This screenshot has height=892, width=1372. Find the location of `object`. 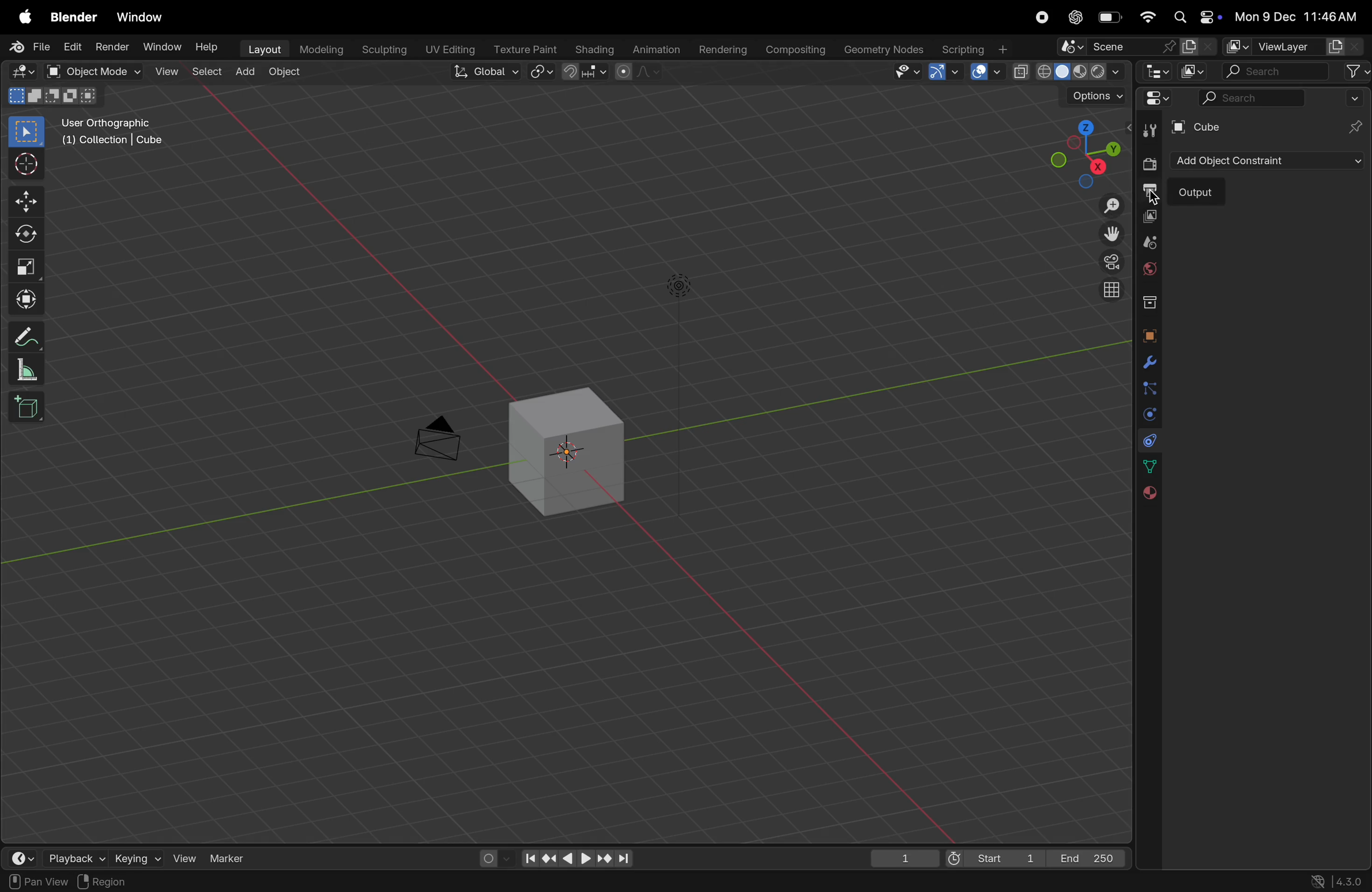

object is located at coordinates (1148, 335).